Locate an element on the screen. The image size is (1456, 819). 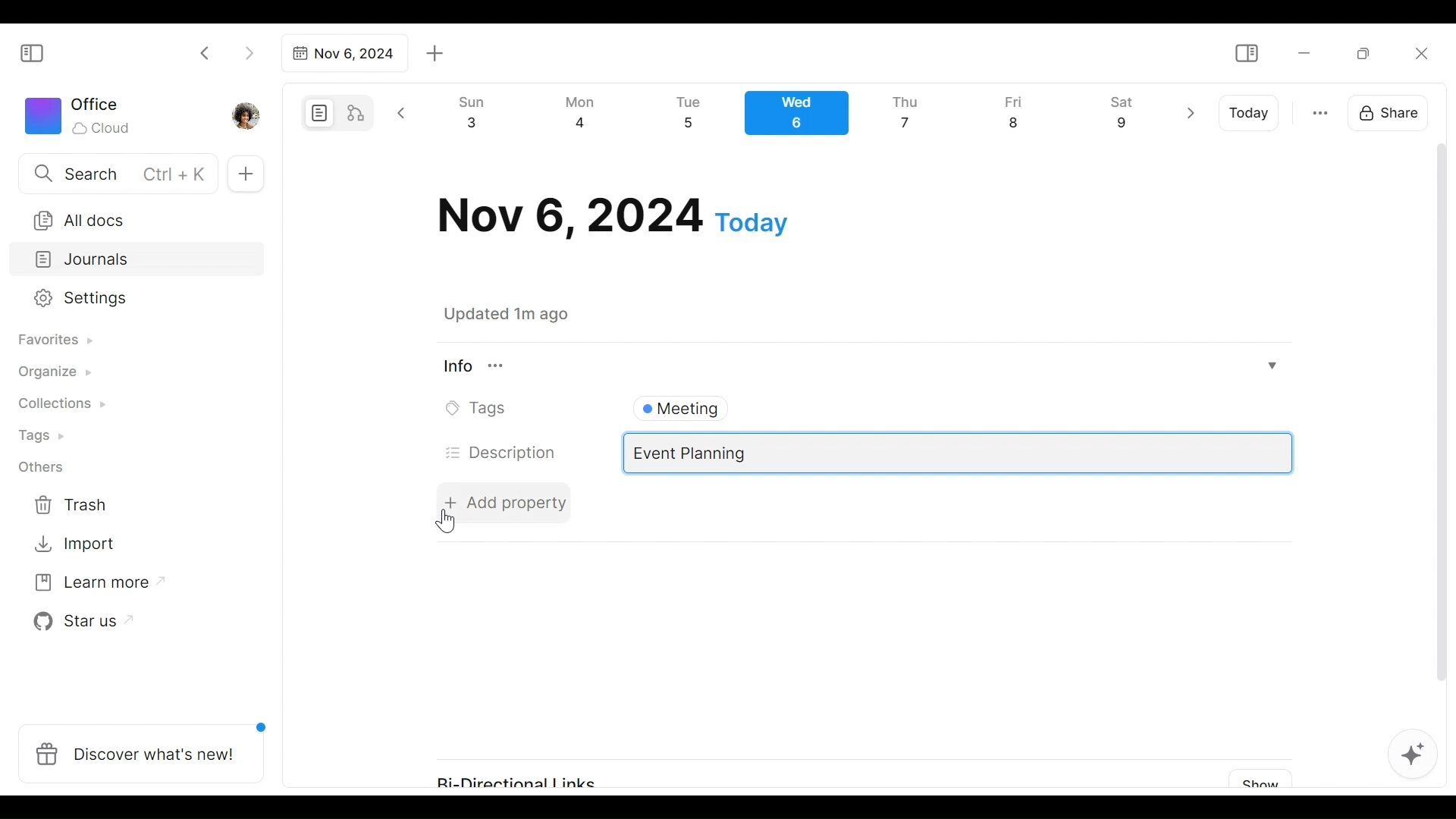
Today is located at coordinates (1250, 113).